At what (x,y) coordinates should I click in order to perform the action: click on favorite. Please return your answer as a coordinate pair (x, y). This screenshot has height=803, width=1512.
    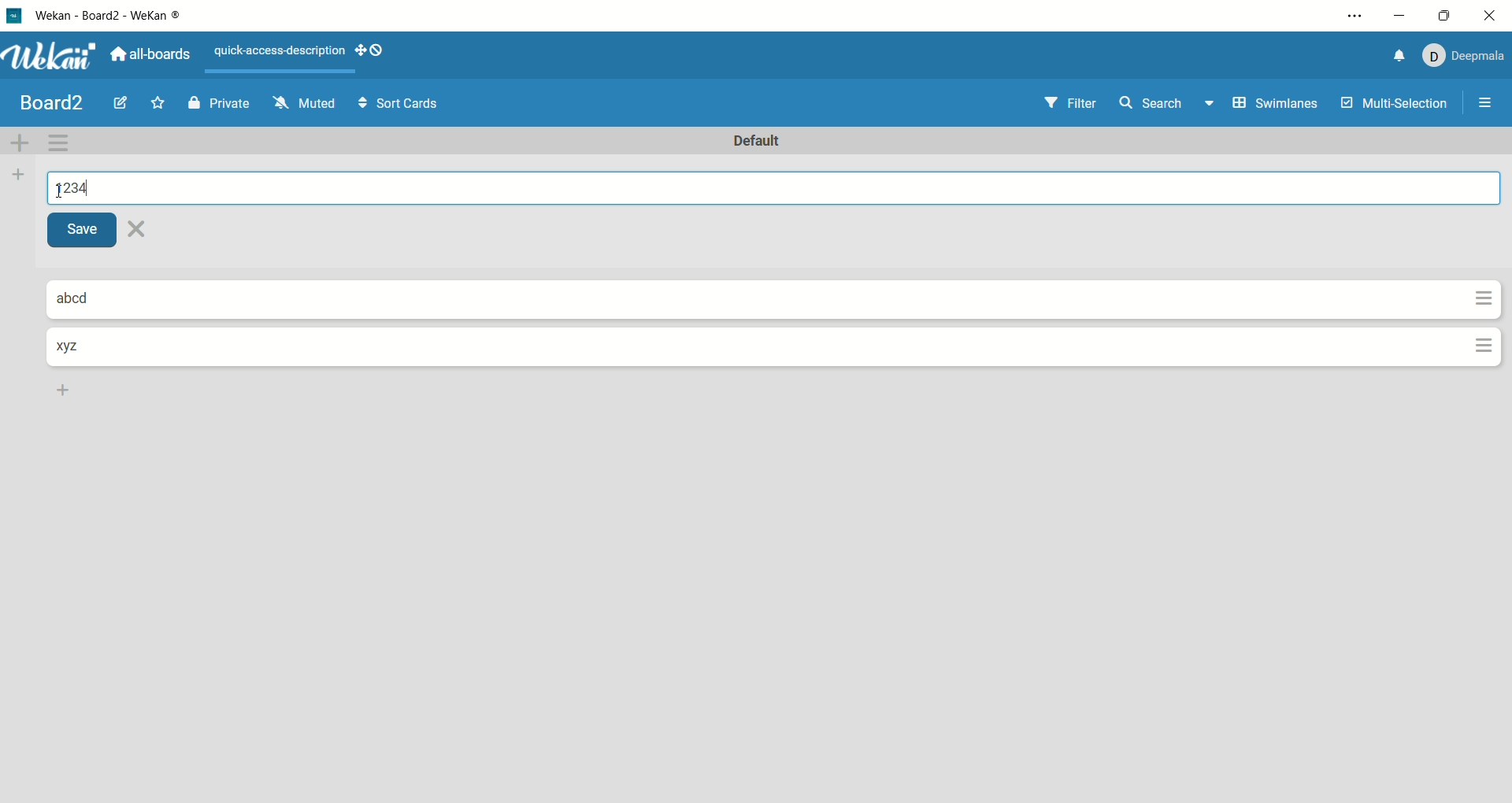
    Looking at the image, I should click on (161, 102).